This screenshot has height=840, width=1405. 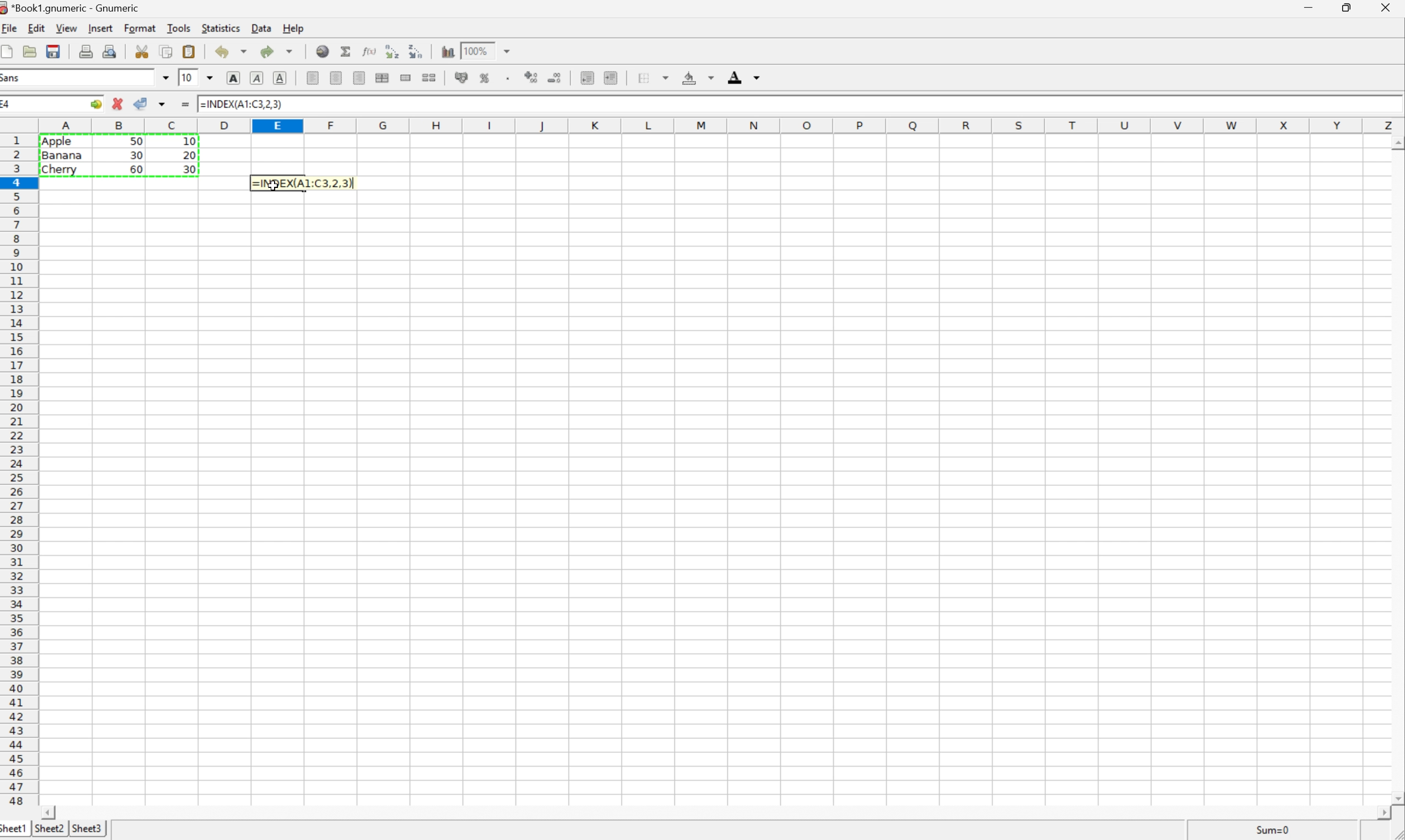 I want to click on tools, so click(x=178, y=27).